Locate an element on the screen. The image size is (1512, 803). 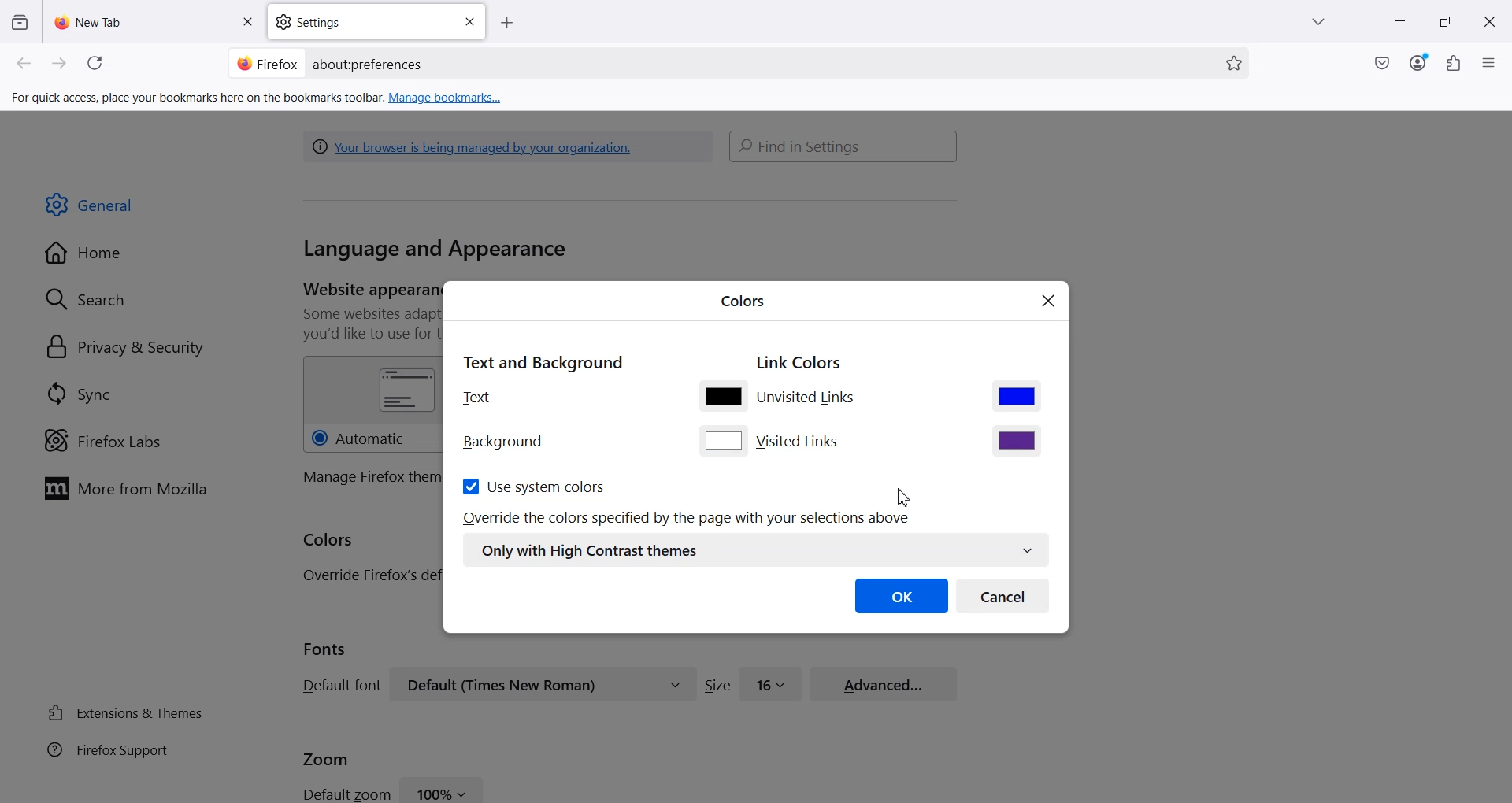
Only with High Contrast themes is located at coordinates (755, 550).